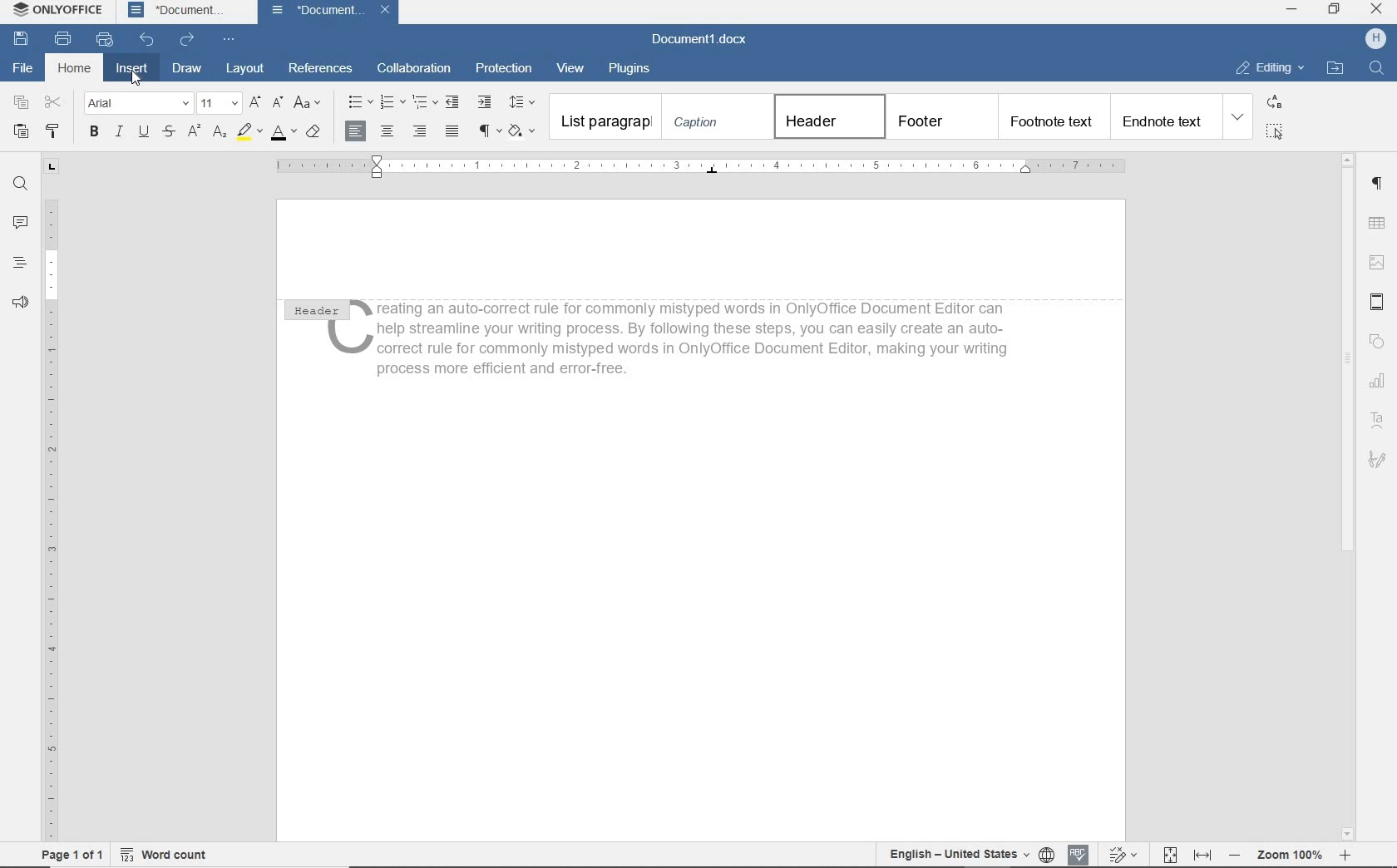 The image size is (1397, 868). Describe the element at coordinates (489, 131) in the screenshot. I see `NONPRINTING CHARACTERS` at that location.